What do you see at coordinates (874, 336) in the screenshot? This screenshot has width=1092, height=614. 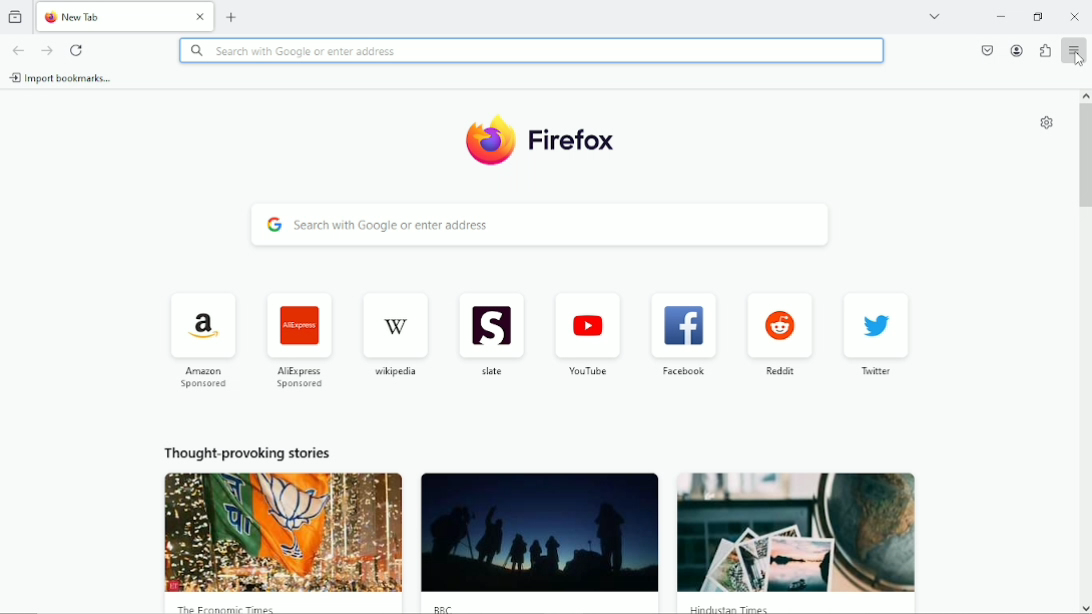 I see `Twitter` at bounding box center [874, 336].